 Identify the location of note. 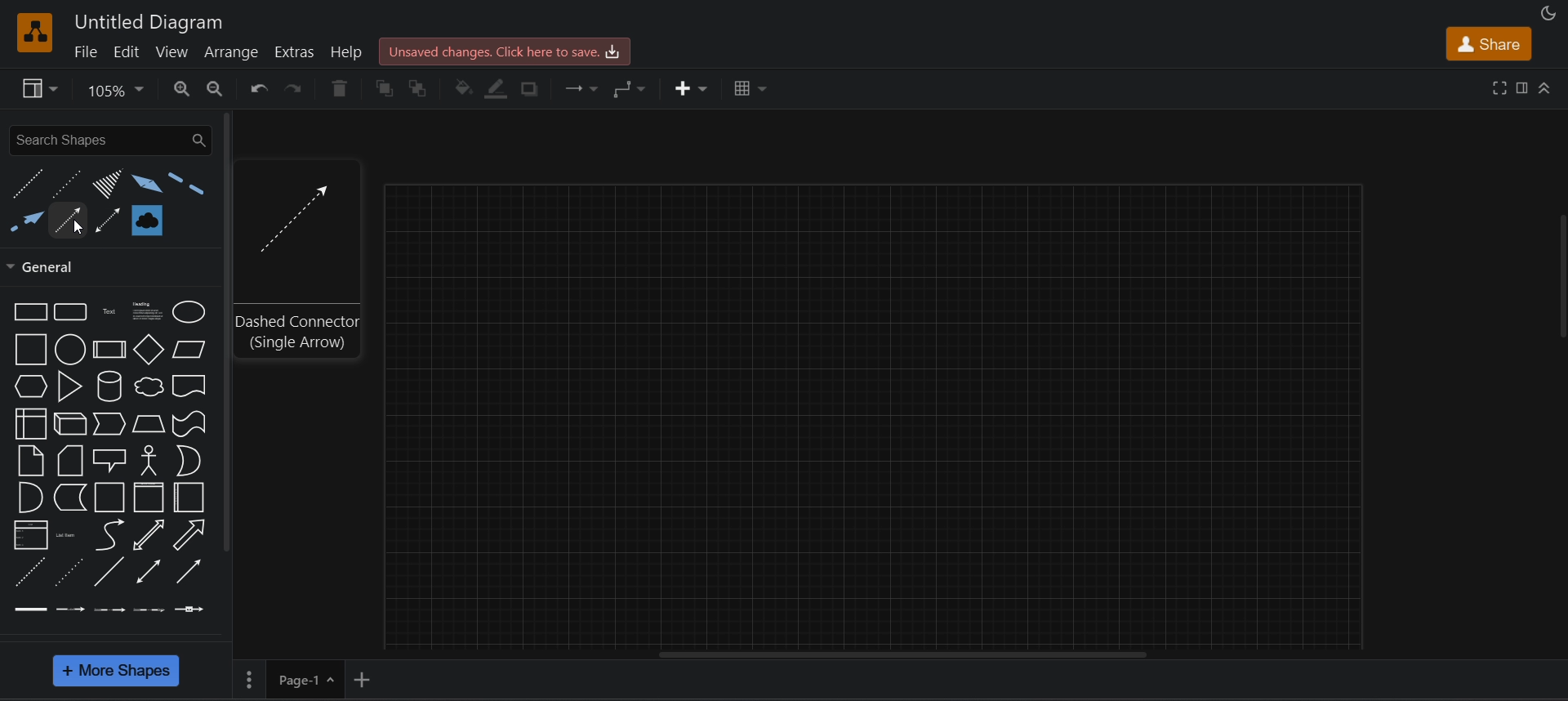
(29, 460).